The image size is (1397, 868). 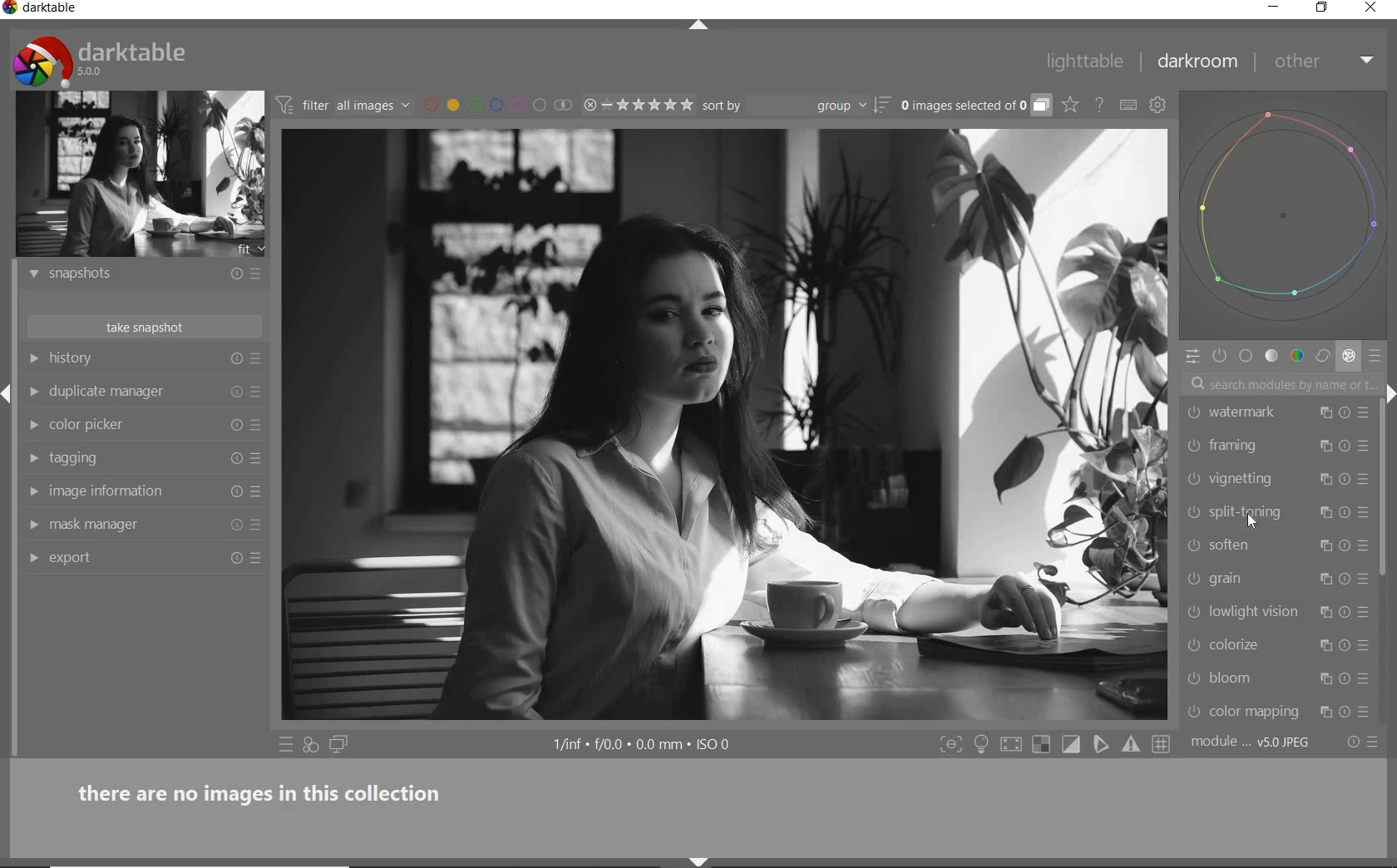 I want to click on multiple instance actions, so click(x=1328, y=543).